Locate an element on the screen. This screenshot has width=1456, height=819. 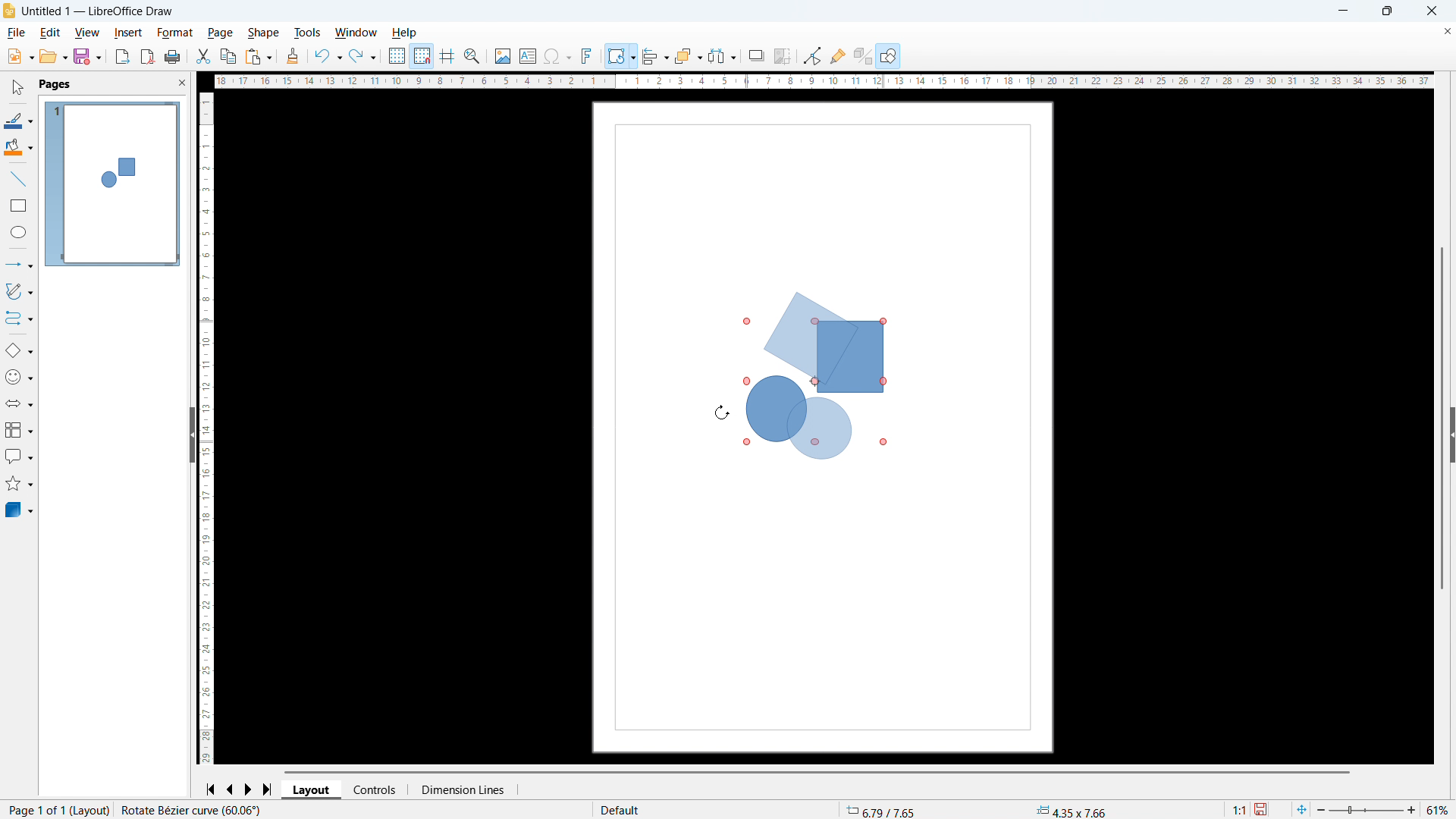
Page display  is located at coordinates (113, 184).